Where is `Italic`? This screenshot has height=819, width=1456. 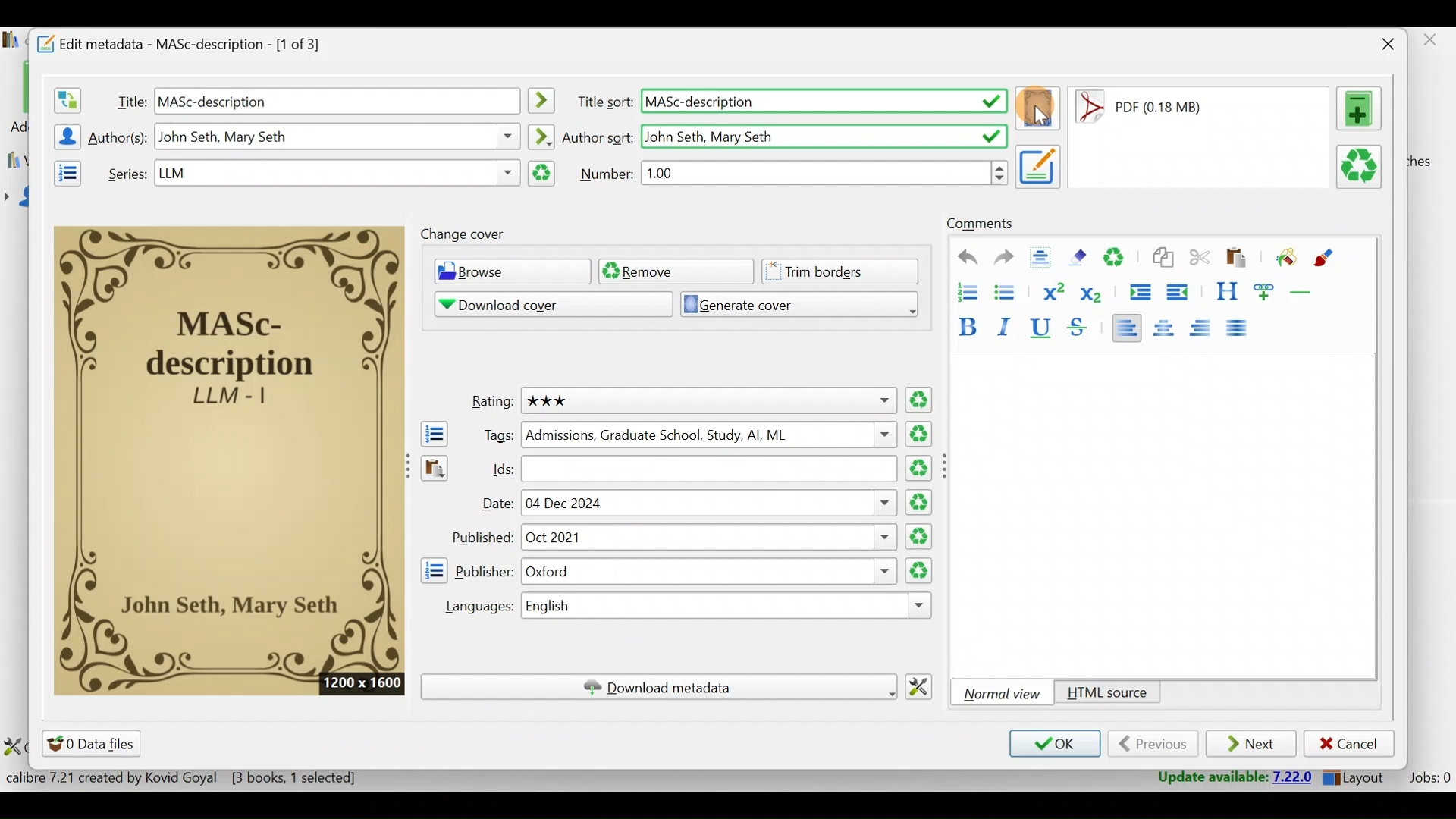 Italic is located at coordinates (1008, 326).